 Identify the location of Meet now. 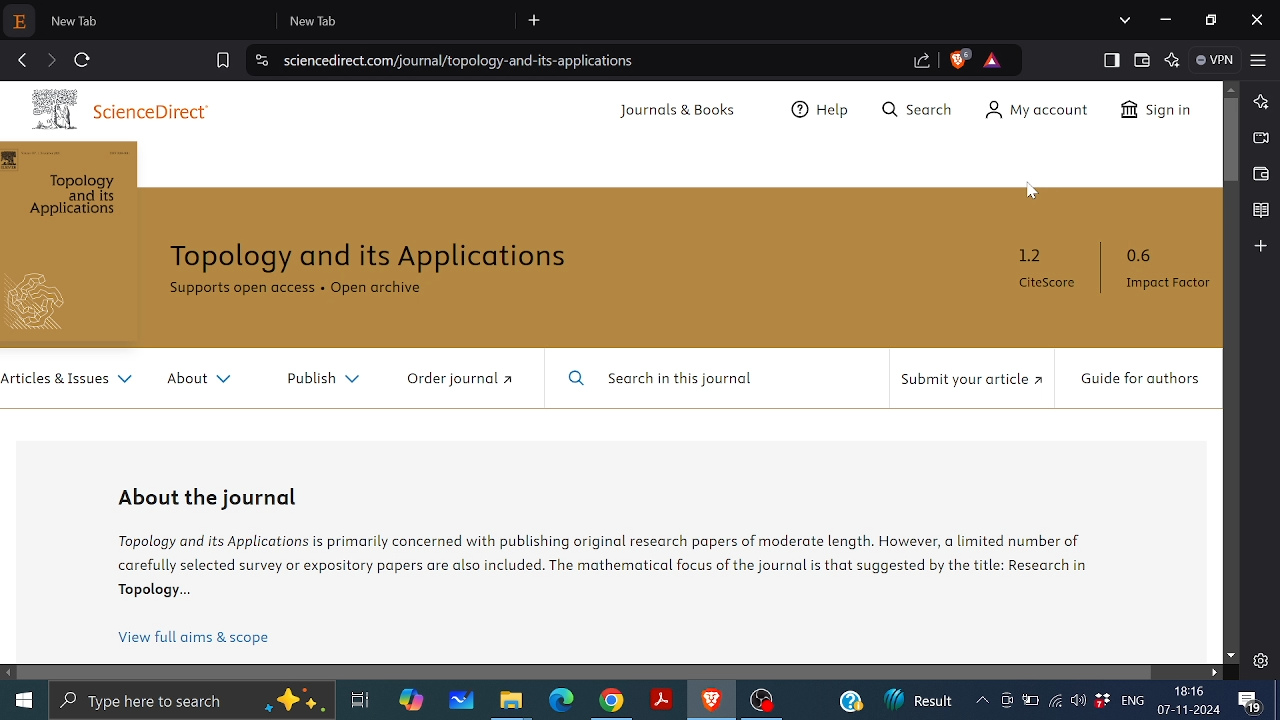
(1006, 704).